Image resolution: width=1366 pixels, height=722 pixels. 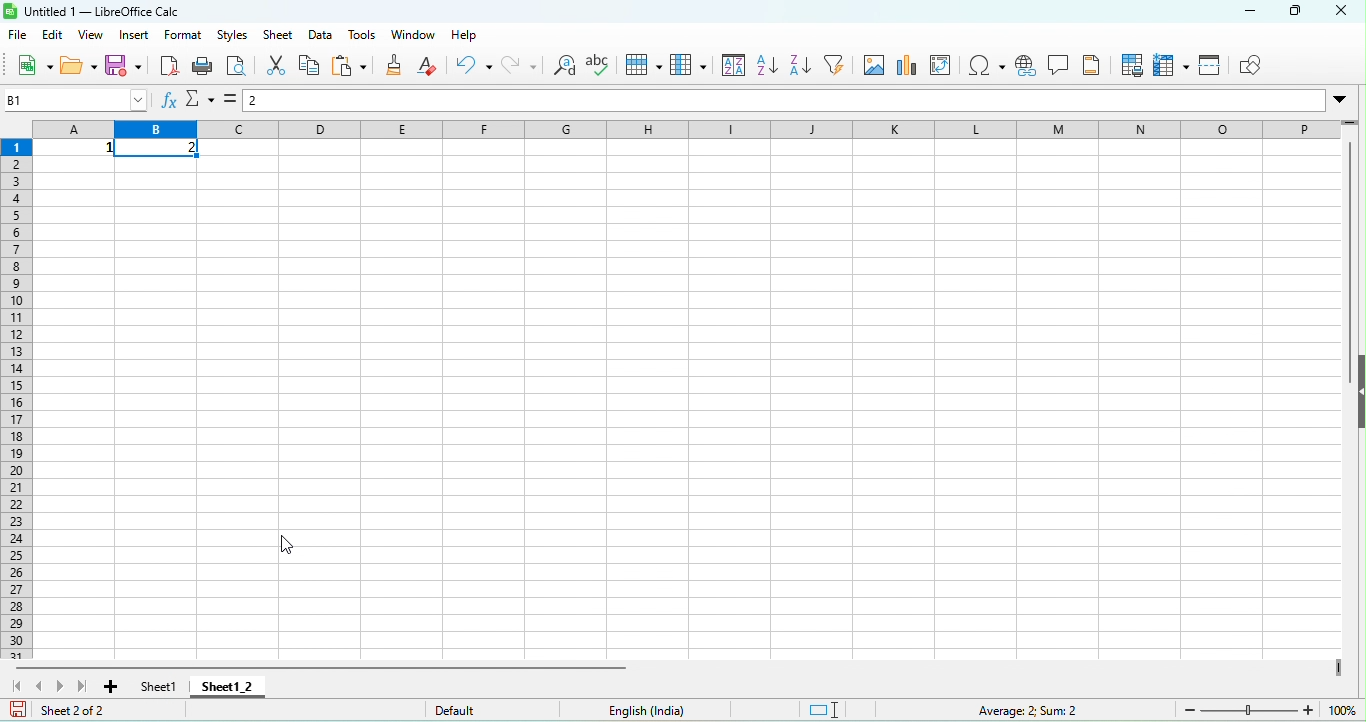 What do you see at coordinates (163, 149) in the screenshot?
I see `2` at bounding box center [163, 149].